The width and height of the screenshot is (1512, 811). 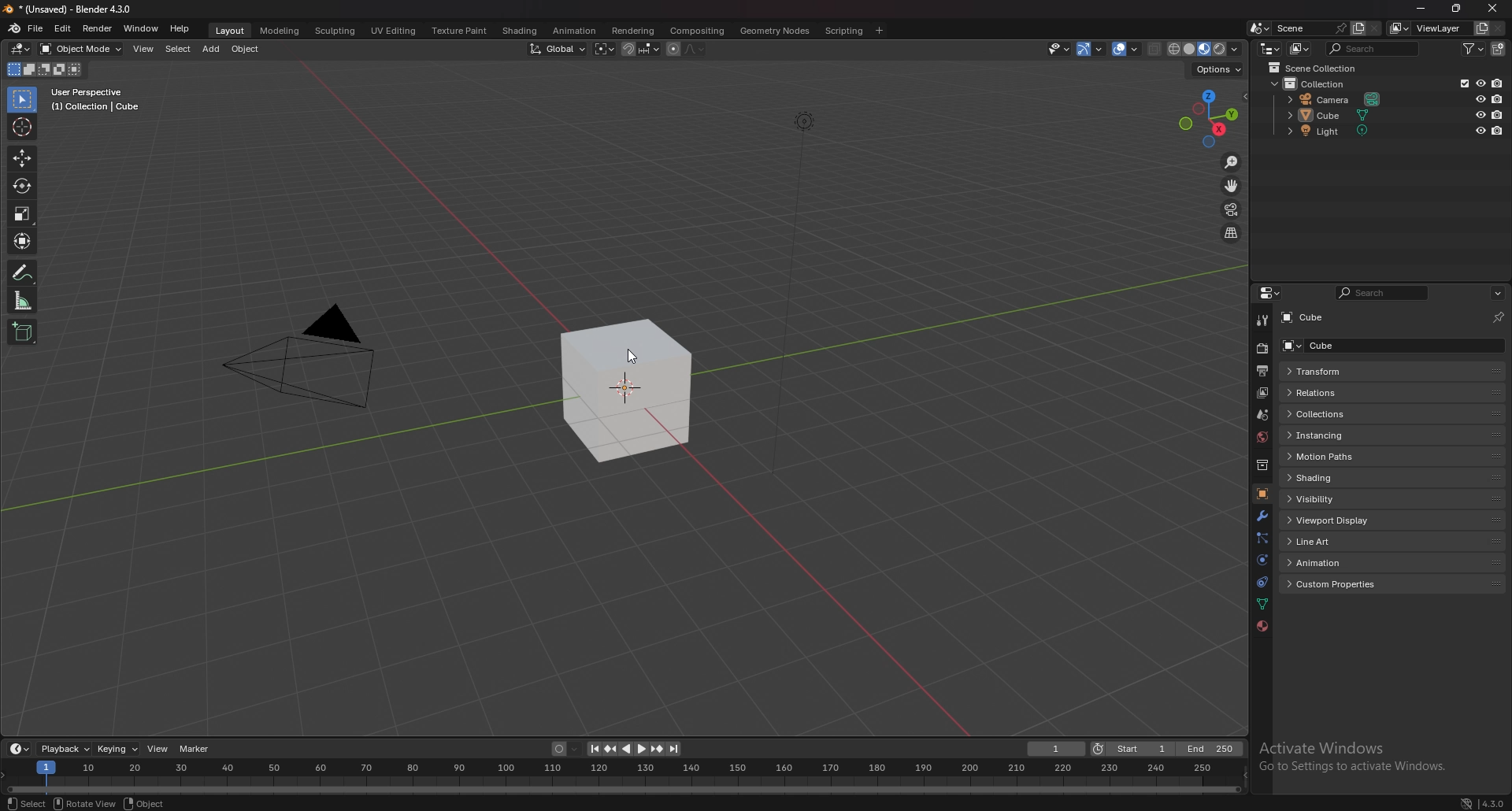 I want to click on hide in viewport, so click(x=1480, y=83).